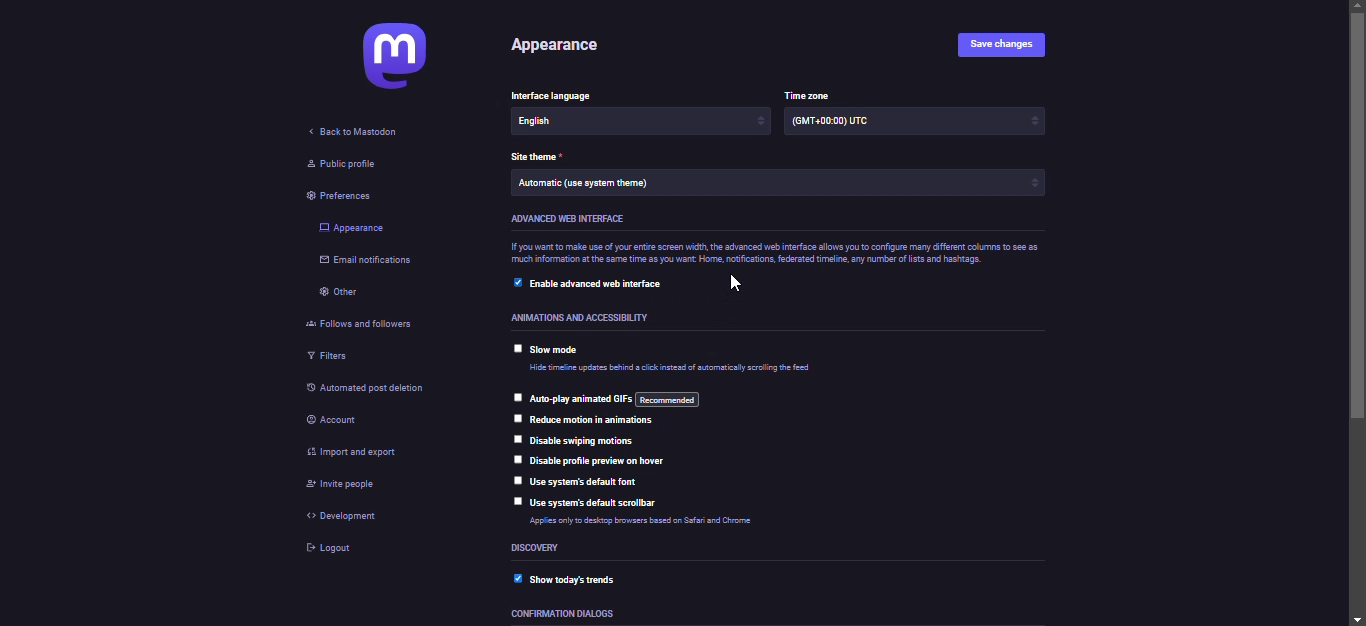 The height and width of the screenshot is (626, 1366). What do you see at coordinates (360, 324) in the screenshot?
I see `follows and followers` at bounding box center [360, 324].